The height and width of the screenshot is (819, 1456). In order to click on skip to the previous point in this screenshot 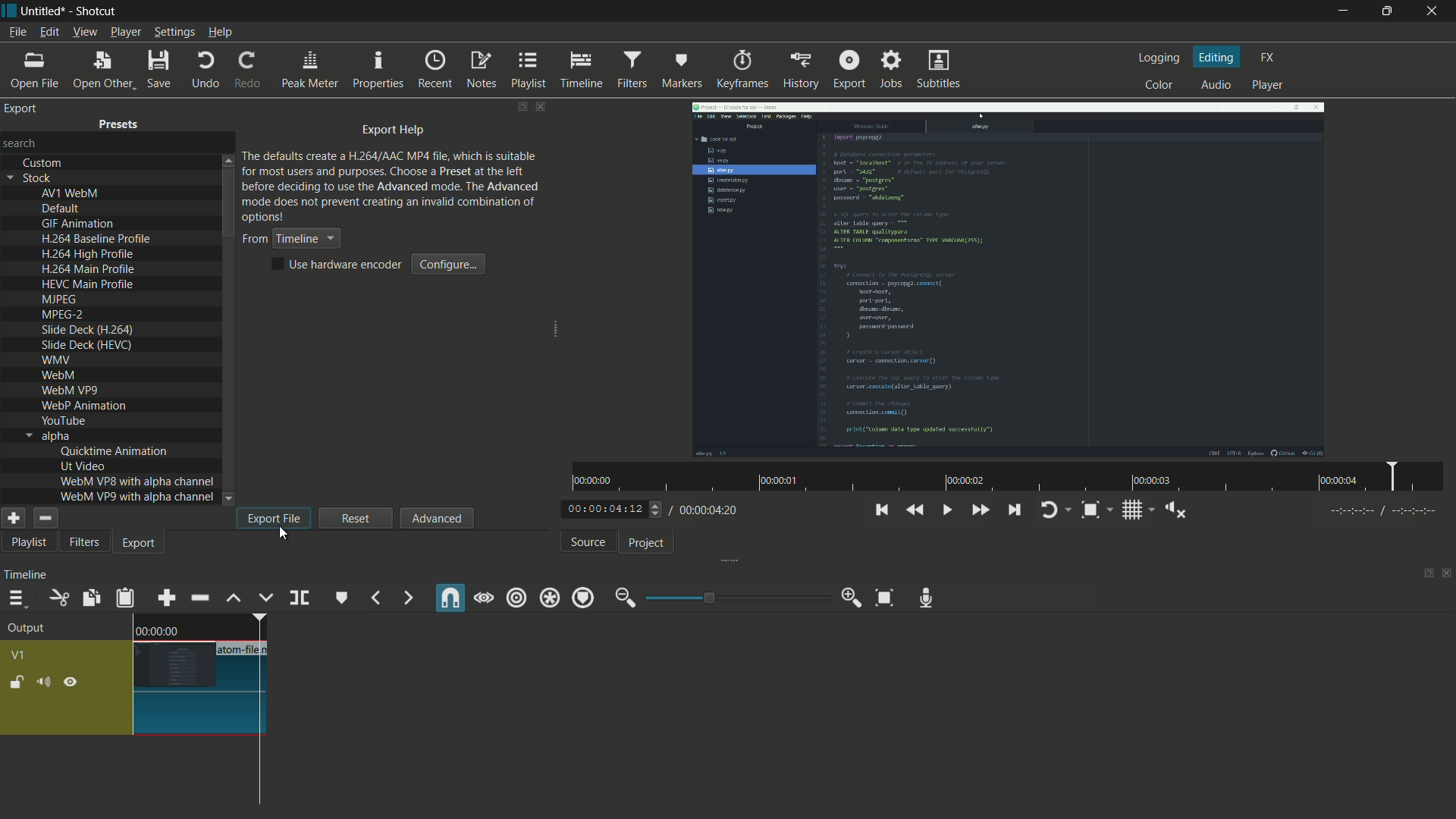, I will do `click(880, 510)`.